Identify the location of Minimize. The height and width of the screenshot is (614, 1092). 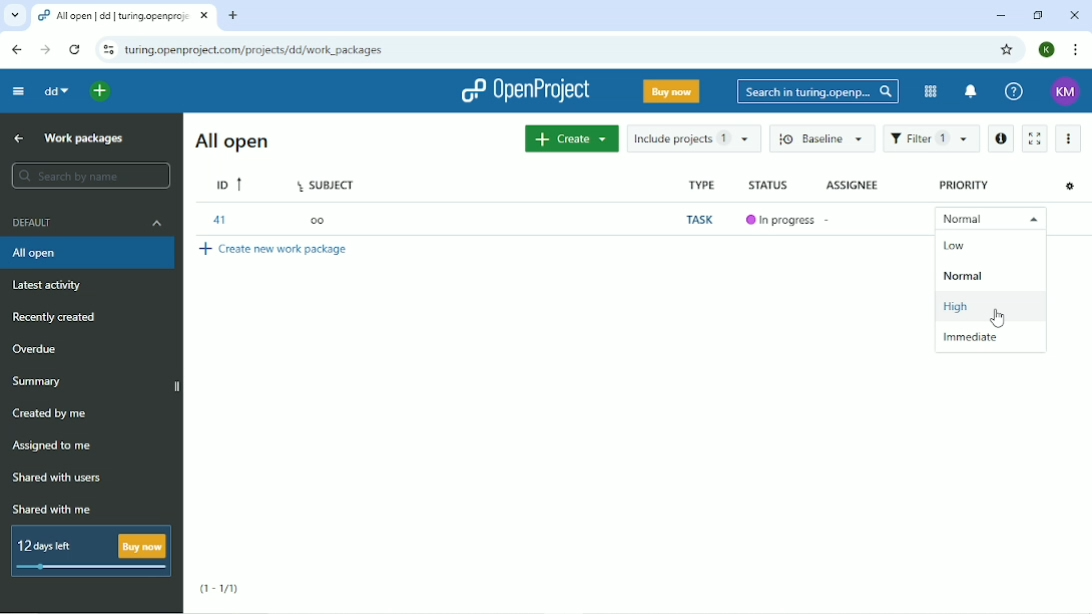
(1001, 16).